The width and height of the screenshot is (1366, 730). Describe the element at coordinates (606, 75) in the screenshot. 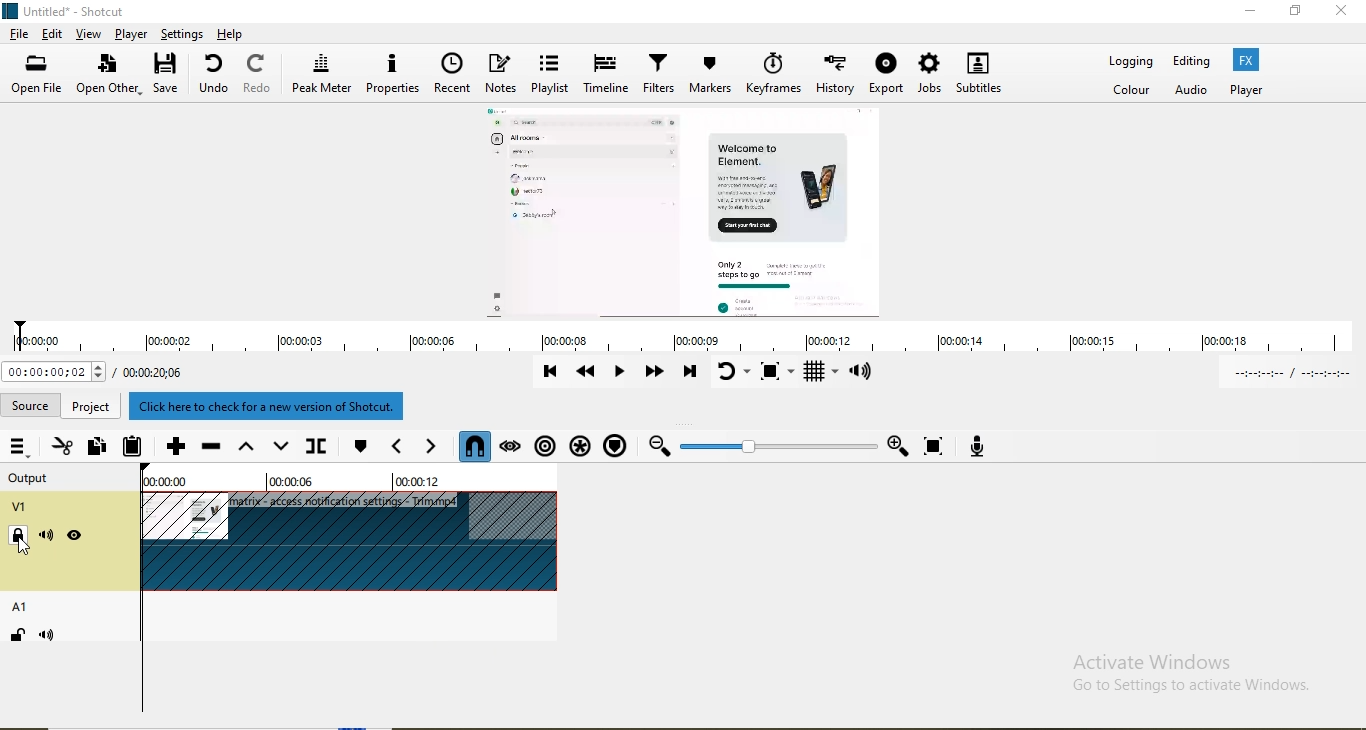

I see `Timelines` at that location.